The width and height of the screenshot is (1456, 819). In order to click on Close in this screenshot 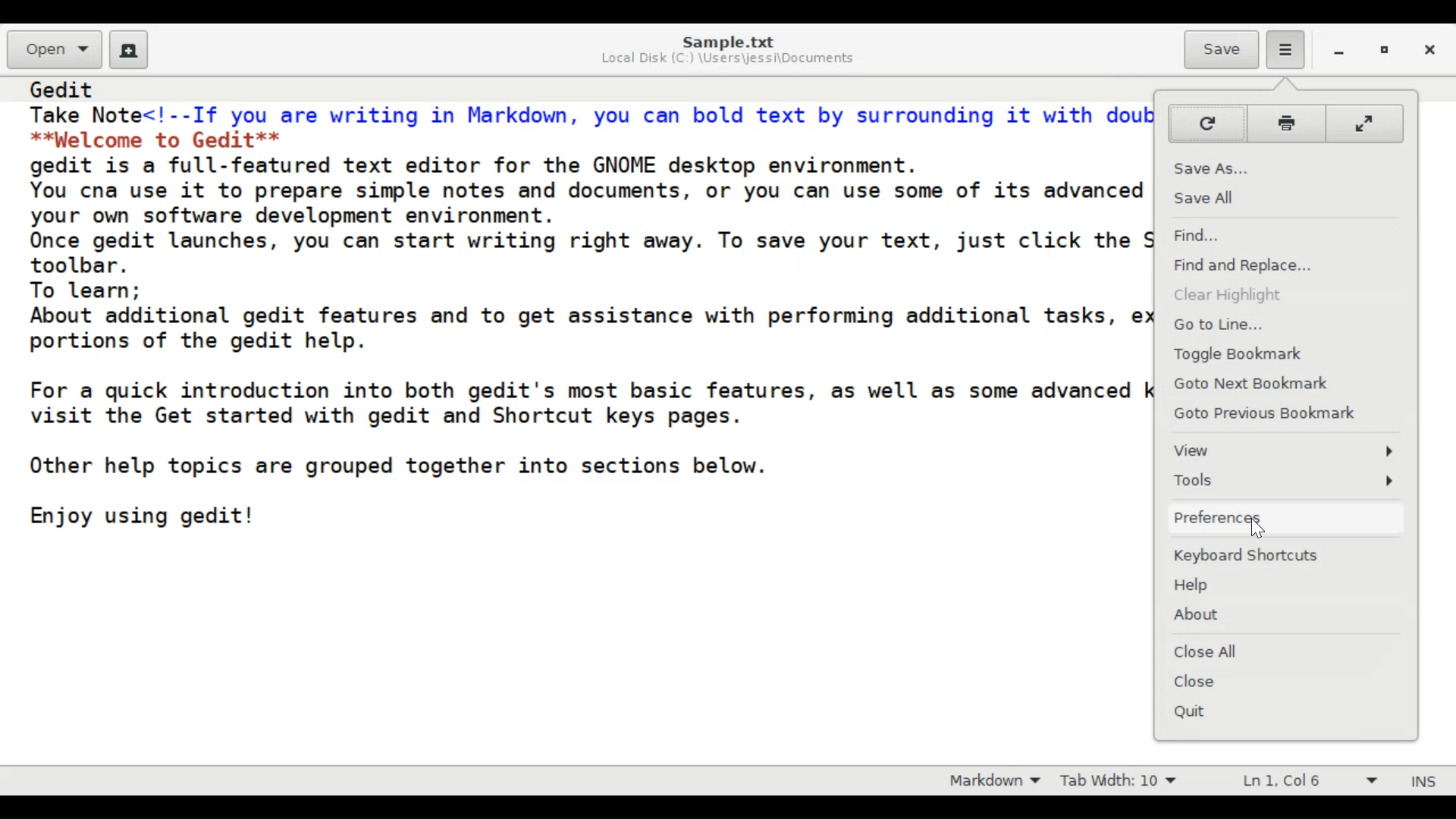, I will do `click(1432, 52)`.